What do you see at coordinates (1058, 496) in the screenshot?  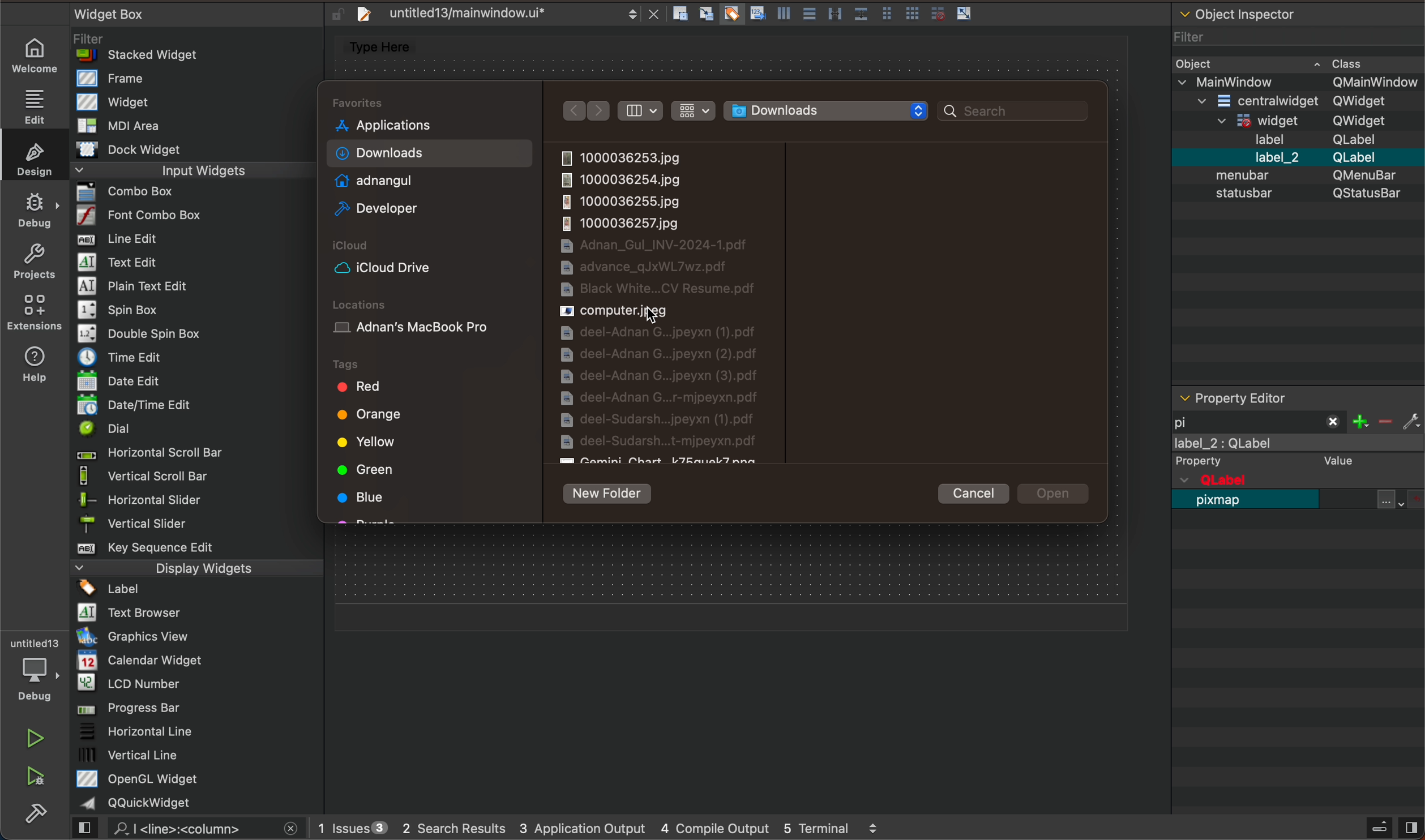 I see `open` at bounding box center [1058, 496].